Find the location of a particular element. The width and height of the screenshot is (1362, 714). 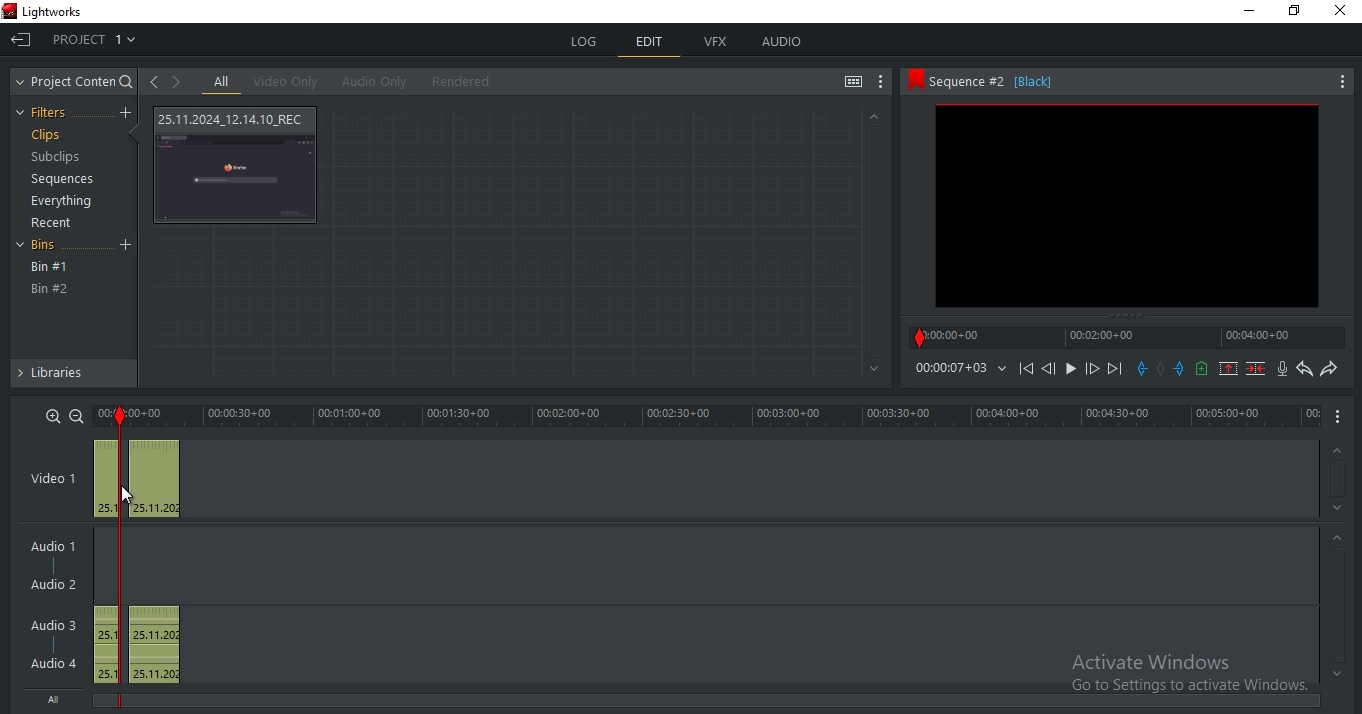

add mark is located at coordinates (1161, 368).